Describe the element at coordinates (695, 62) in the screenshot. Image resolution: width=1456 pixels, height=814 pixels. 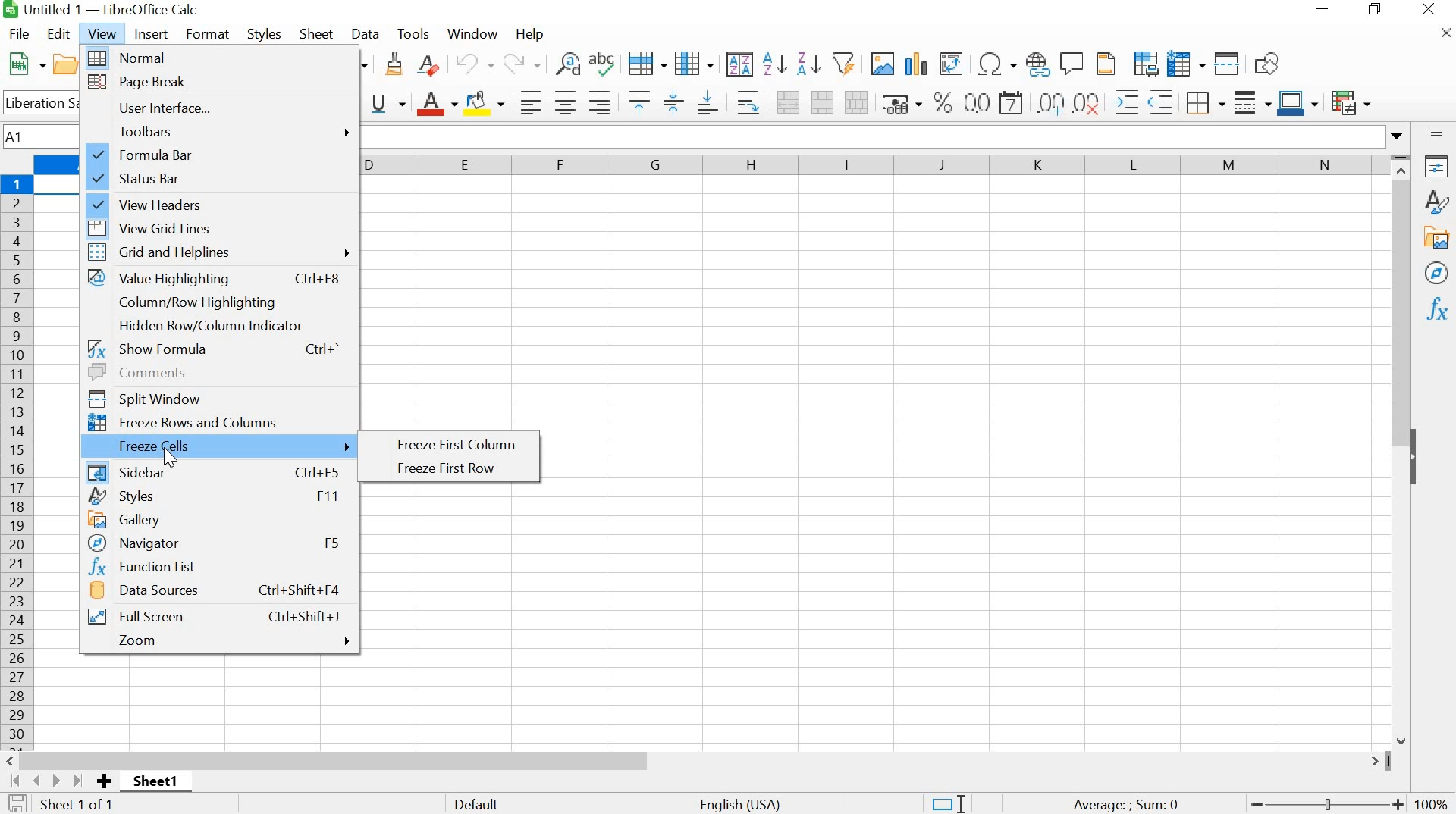
I see `COLUMN` at that location.